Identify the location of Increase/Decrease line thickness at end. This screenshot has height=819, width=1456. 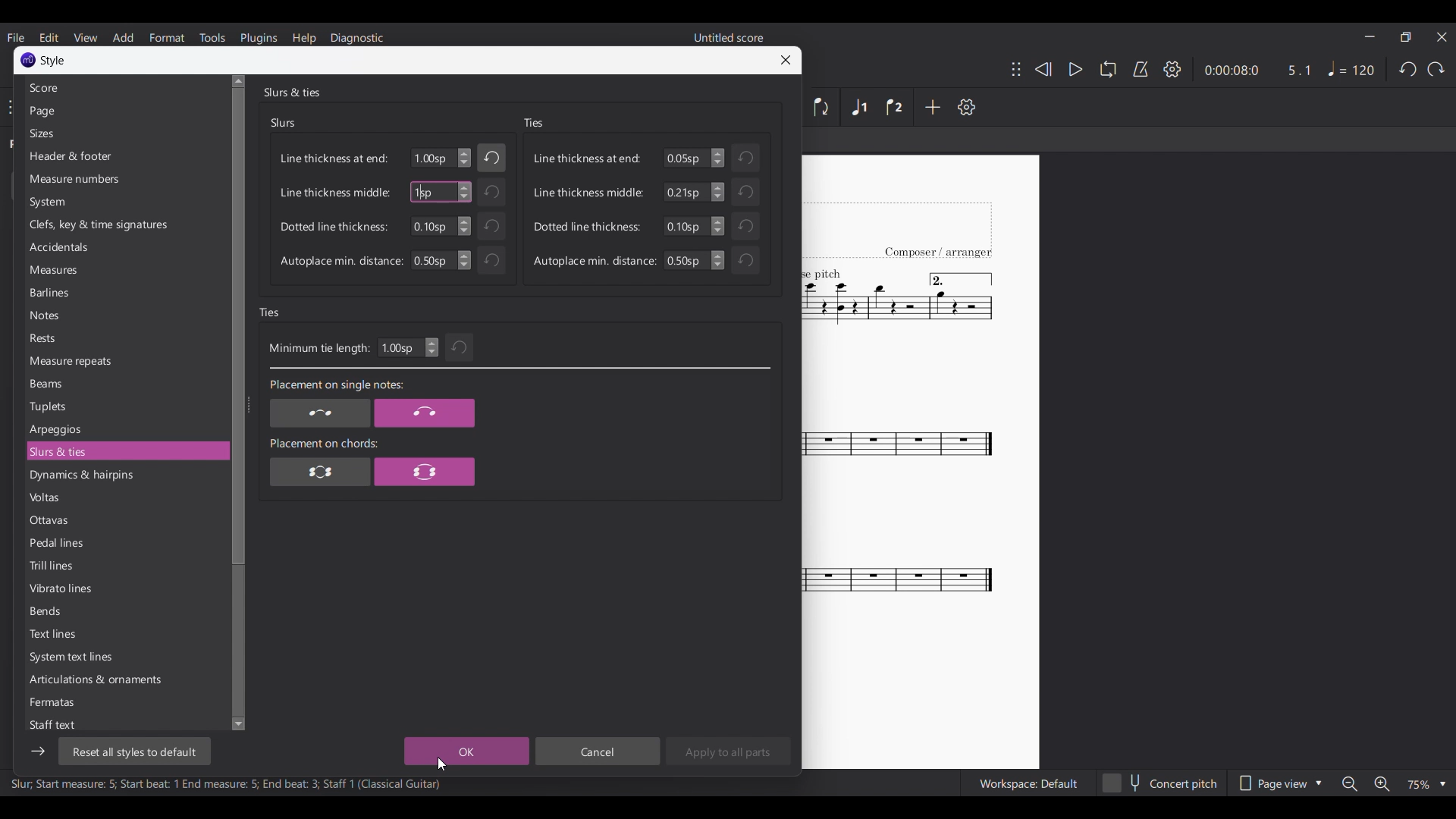
(465, 158).